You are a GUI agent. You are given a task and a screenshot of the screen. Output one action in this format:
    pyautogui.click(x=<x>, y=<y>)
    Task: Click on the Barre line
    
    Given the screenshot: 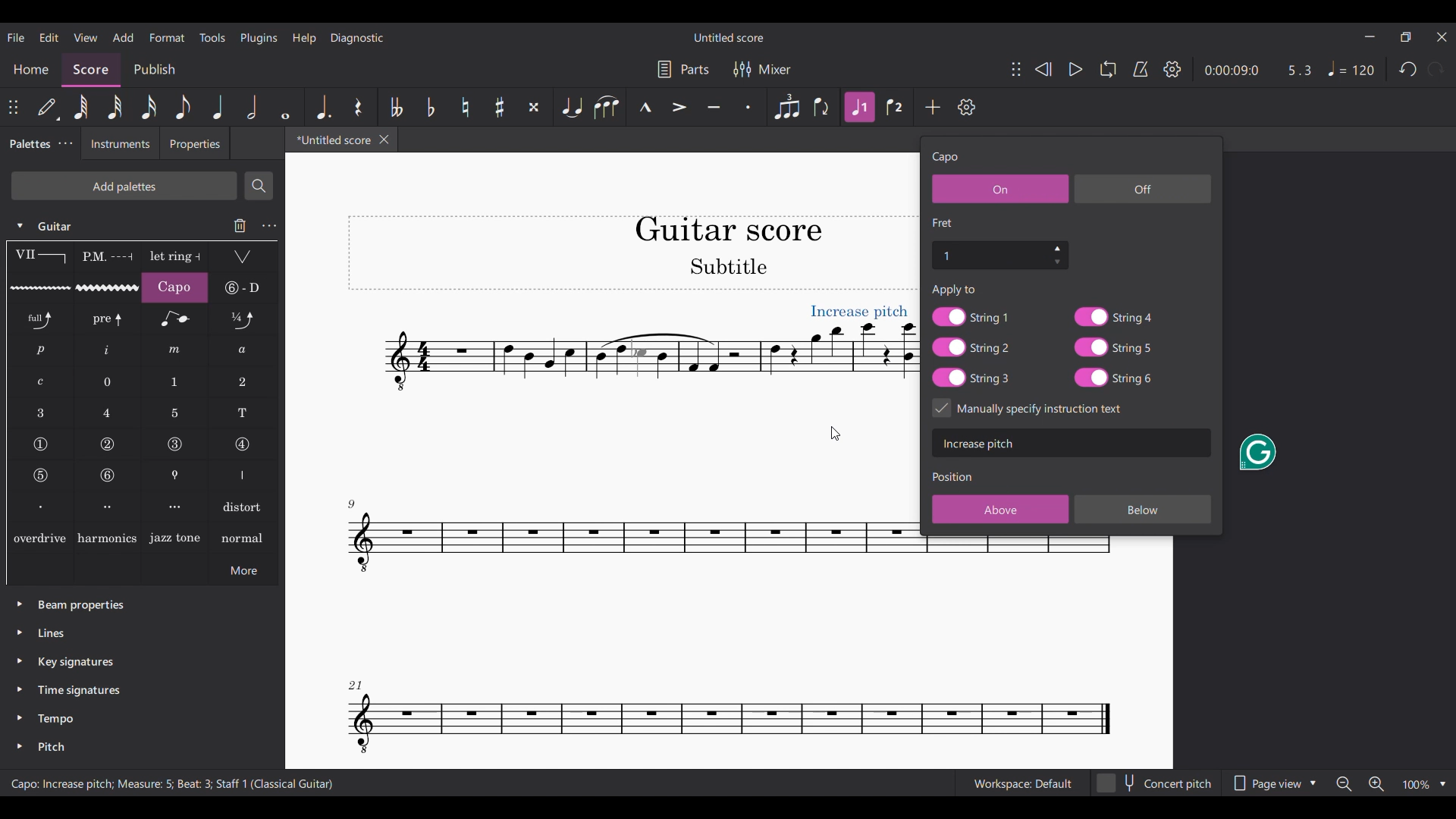 What is the action you would take?
    pyautogui.click(x=40, y=257)
    